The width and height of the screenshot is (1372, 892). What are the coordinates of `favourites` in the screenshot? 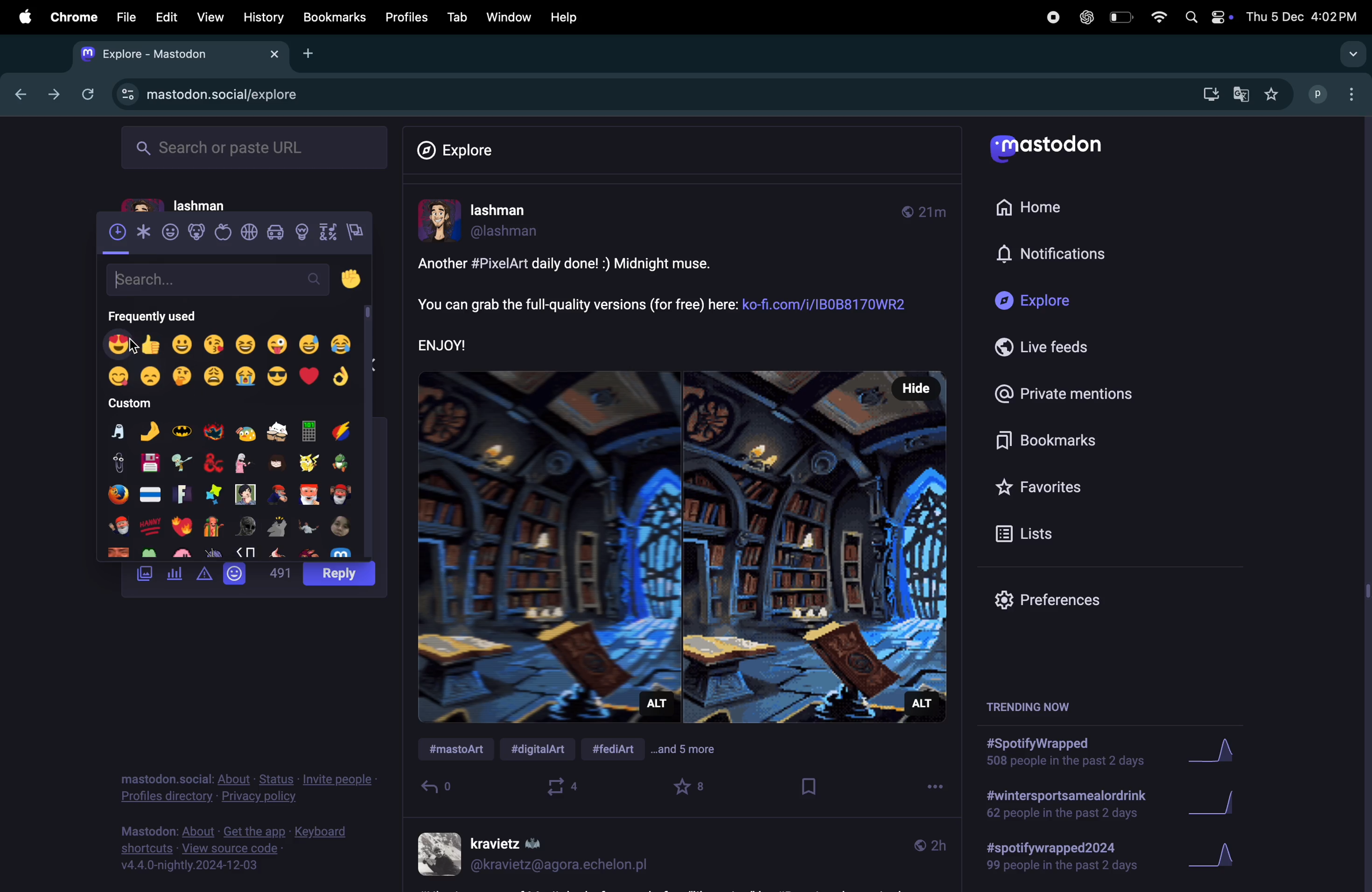 It's located at (692, 788).